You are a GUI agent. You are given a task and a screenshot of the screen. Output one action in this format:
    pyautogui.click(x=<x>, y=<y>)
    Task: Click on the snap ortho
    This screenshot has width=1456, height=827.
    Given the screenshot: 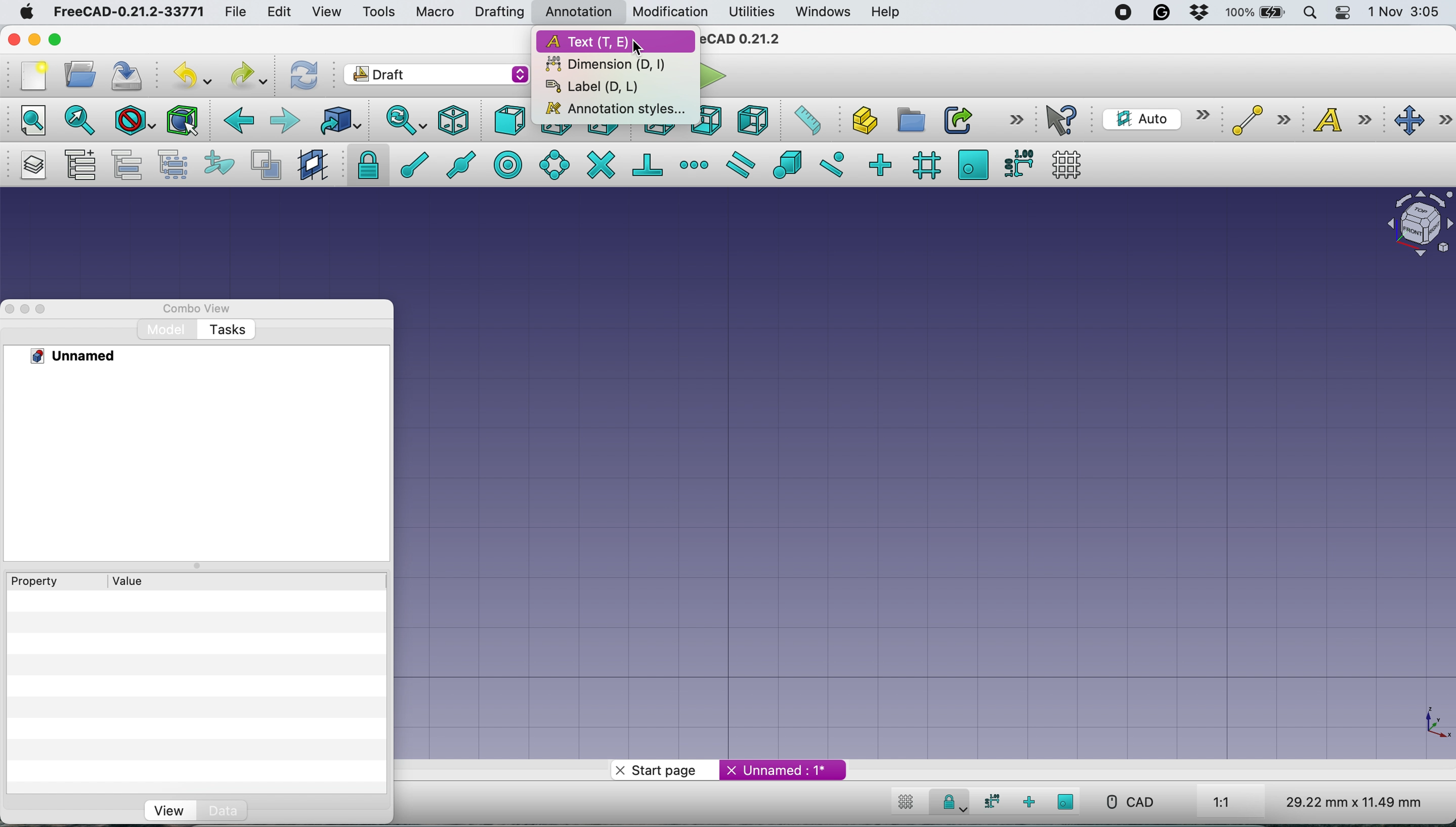 What is the action you would take?
    pyautogui.click(x=881, y=164)
    